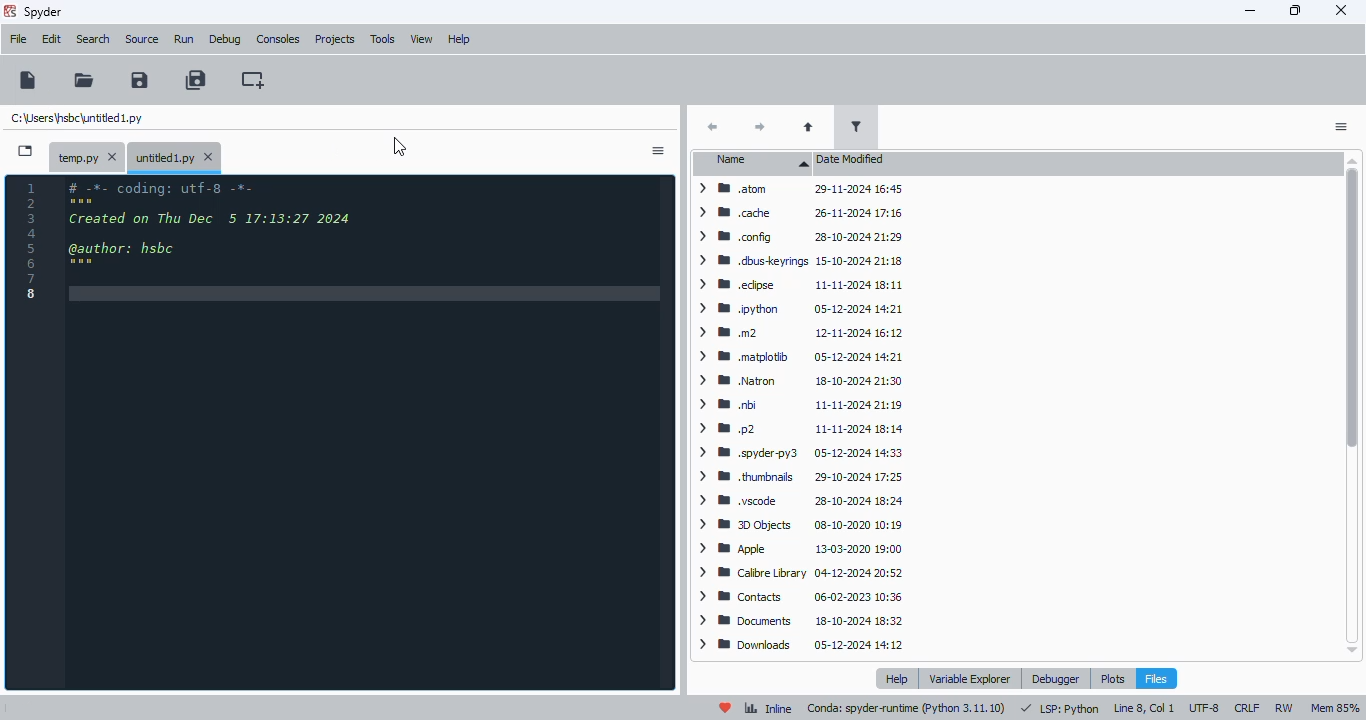 Image resolution: width=1366 pixels, height=720 pixels. I want to click on > WB 3DObjects 08-10-2020 10:19, so click(797, 525).